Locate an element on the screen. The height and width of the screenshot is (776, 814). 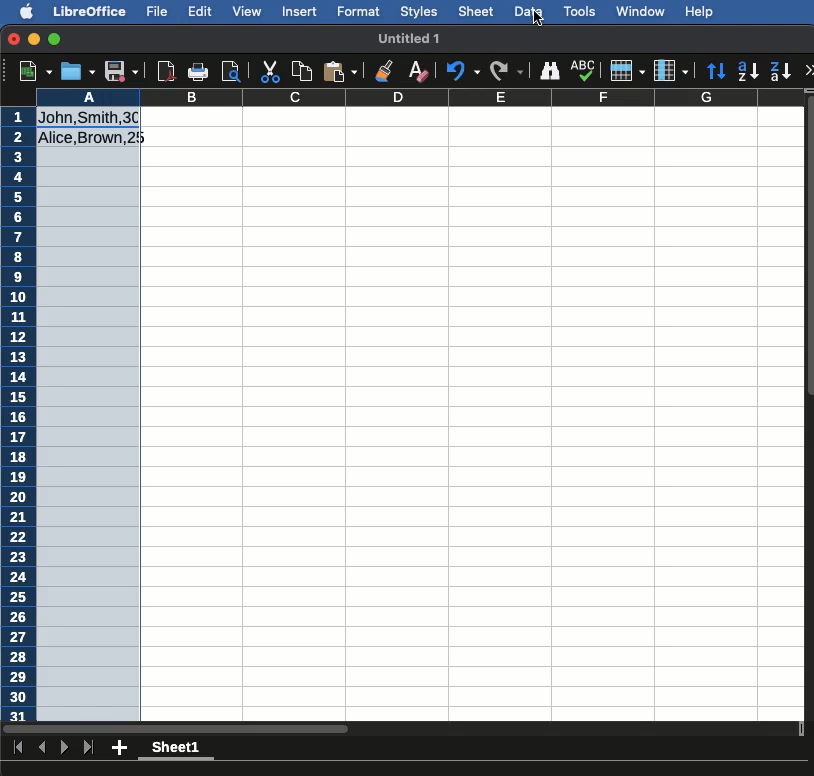
Insert is located at coordinates (301, 14).